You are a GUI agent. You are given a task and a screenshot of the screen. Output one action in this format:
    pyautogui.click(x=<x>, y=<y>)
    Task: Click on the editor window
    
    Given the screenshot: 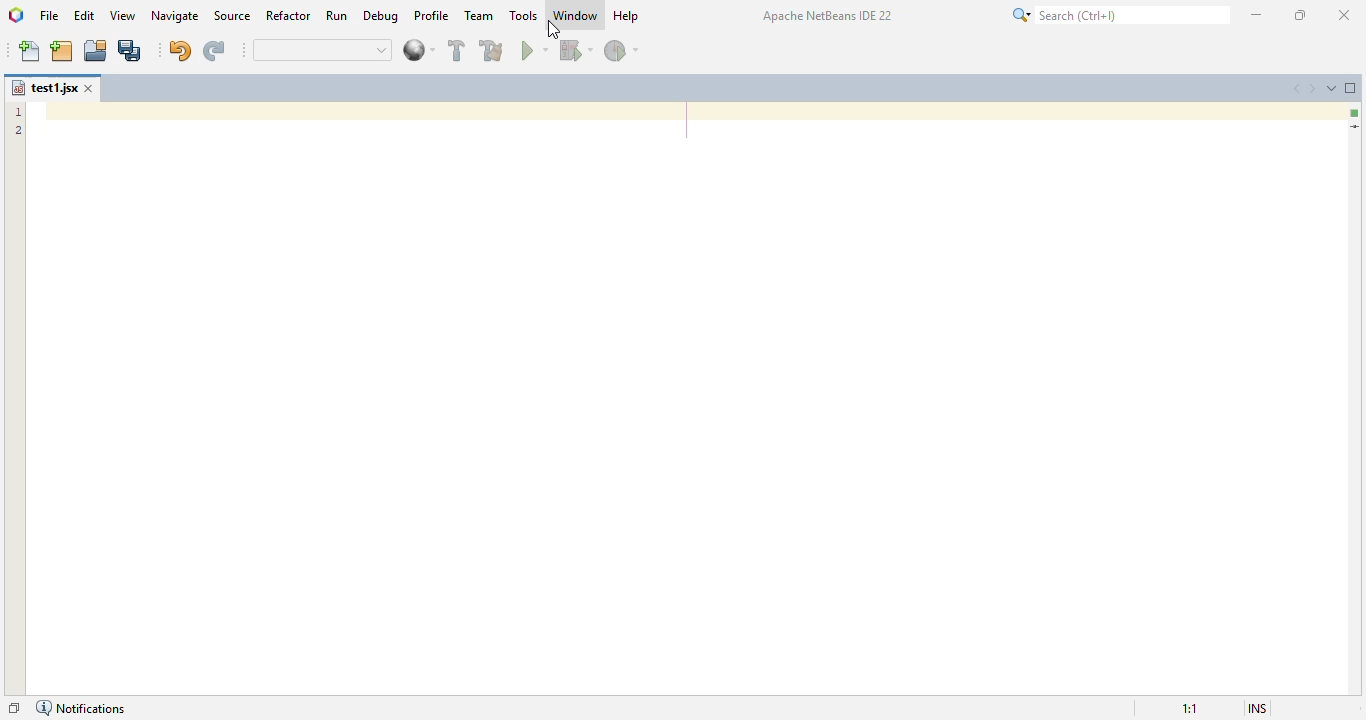 What is the action you would take?
    pyautogui.click(x=698, y=398)
    